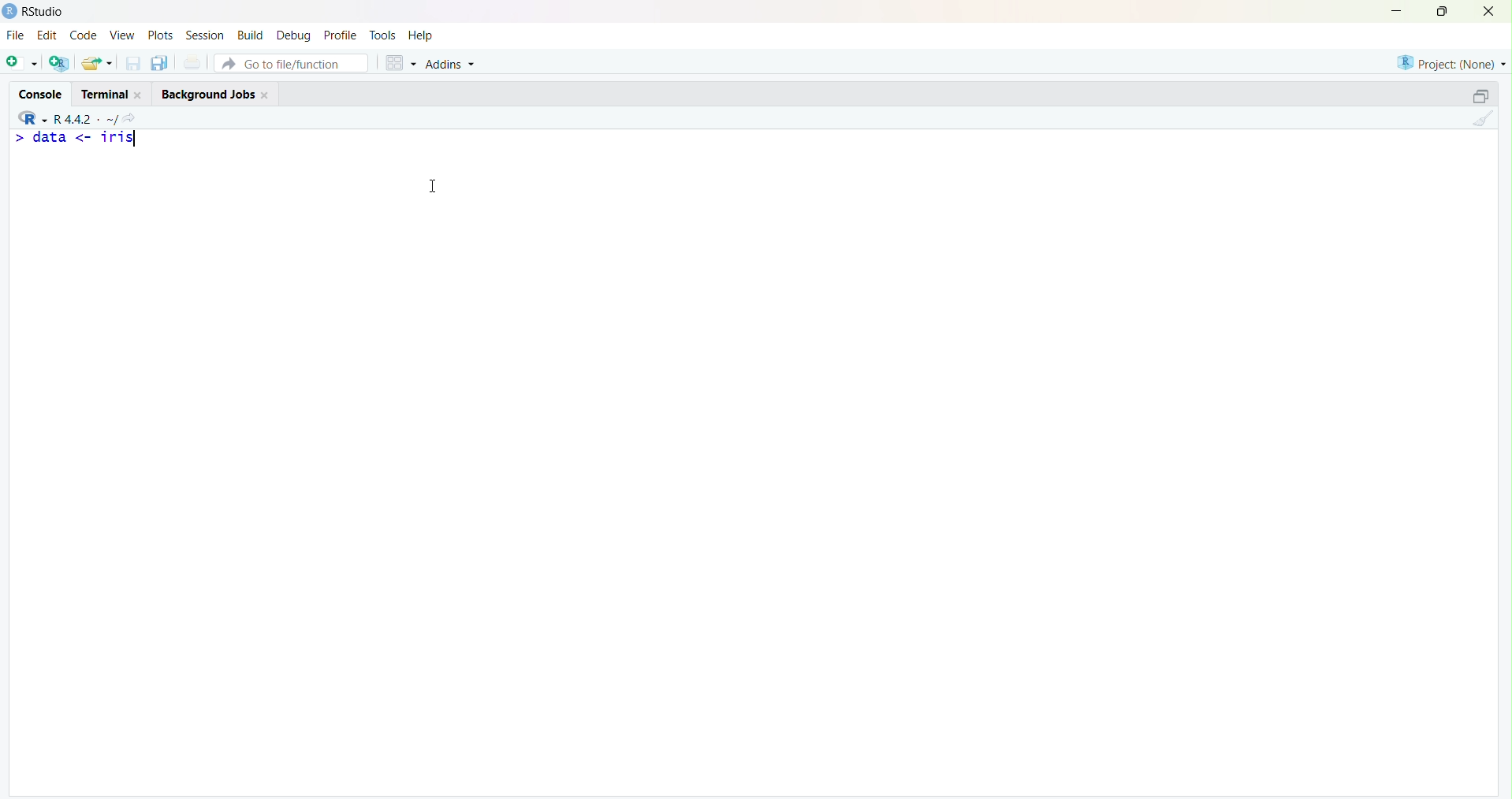  What do you see at coordinates (82, 35) in the screenshot?
I see `Code` at bounding box center [82, 35].